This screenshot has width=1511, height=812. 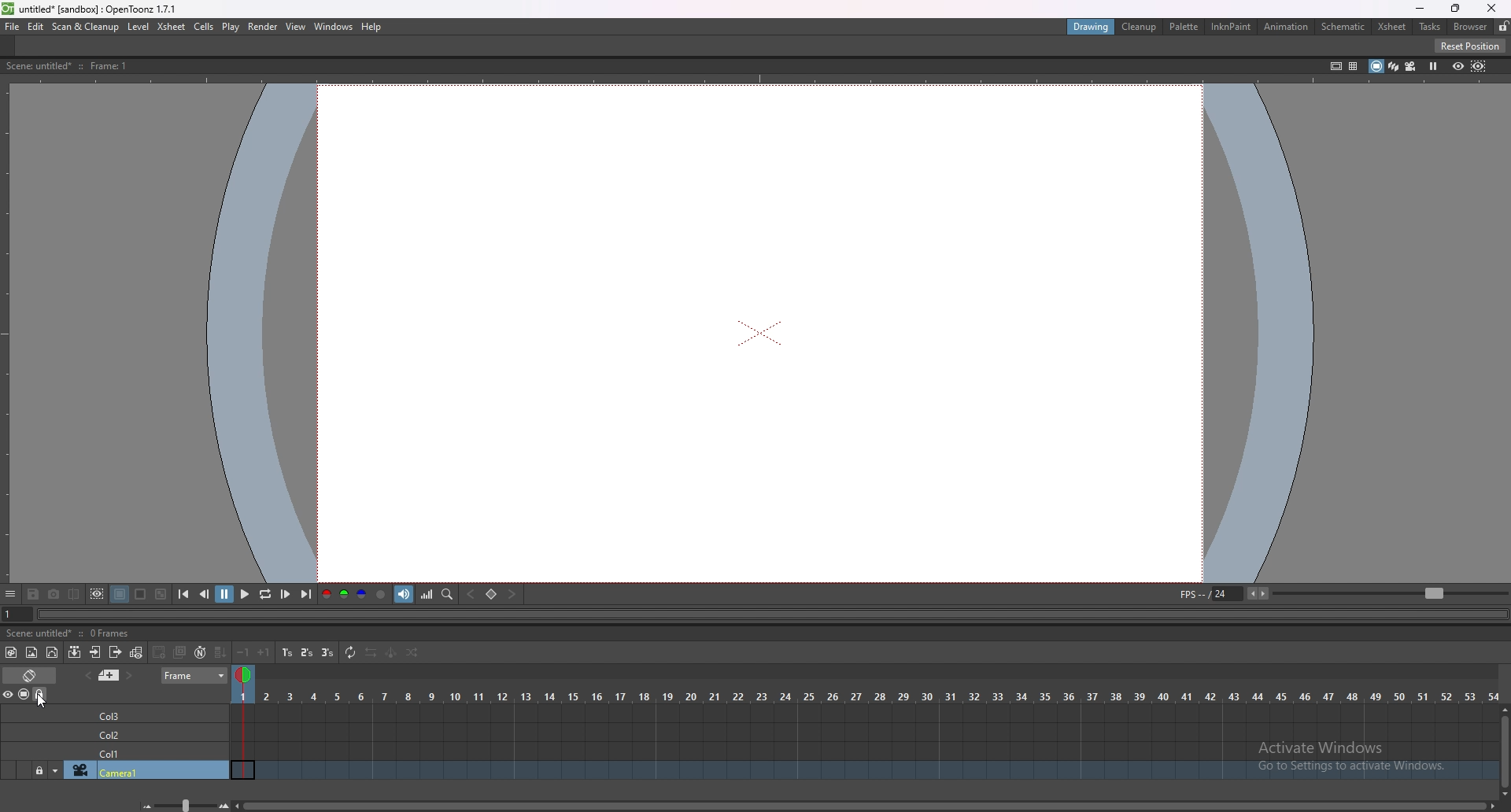 What do you see at coordinates (10, 595) in the screenshot?
I see `hide bar` at bounding box center [10, 595].